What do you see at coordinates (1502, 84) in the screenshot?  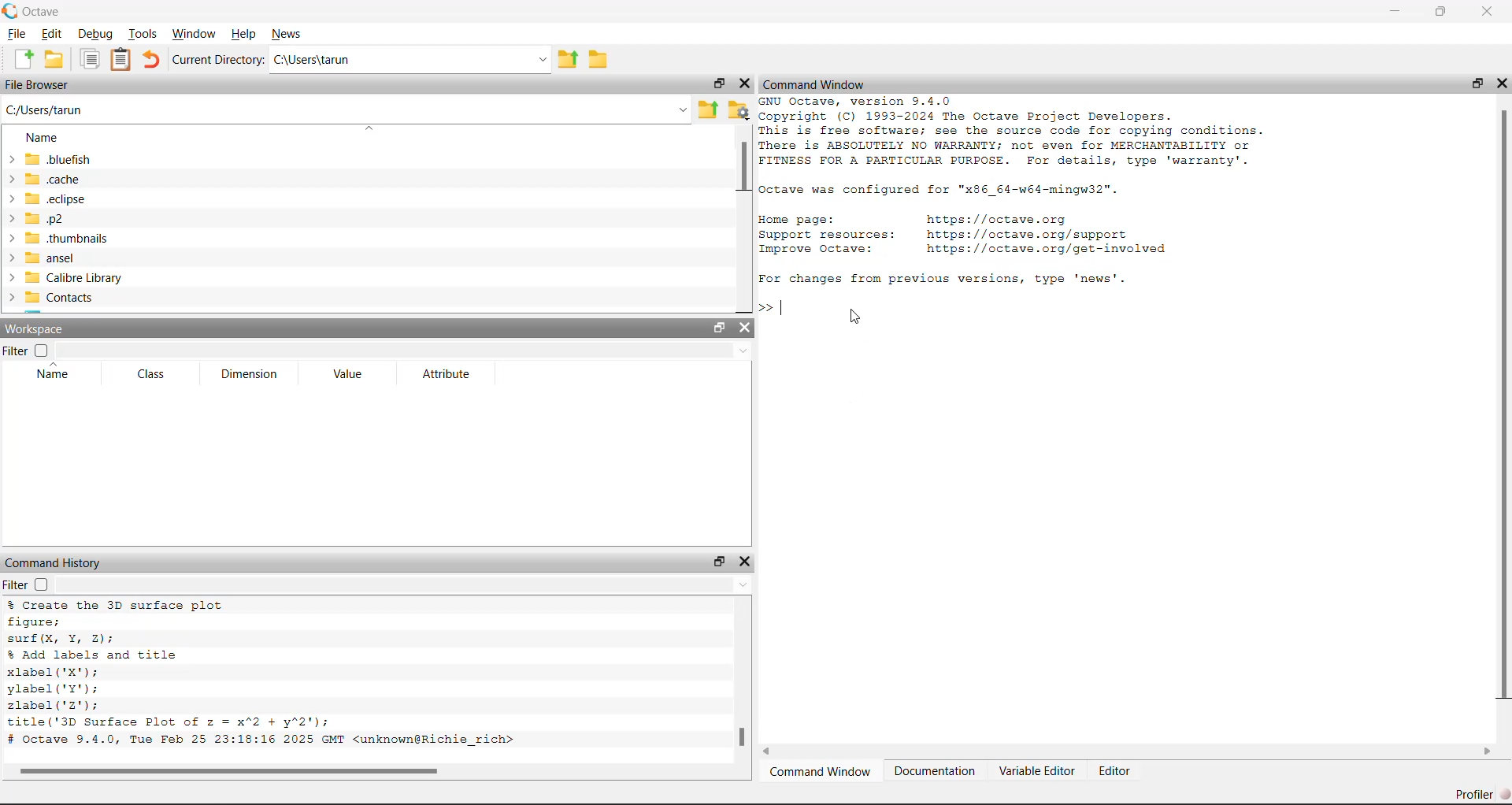 I see `Close` at bounding box center [1502, 84].